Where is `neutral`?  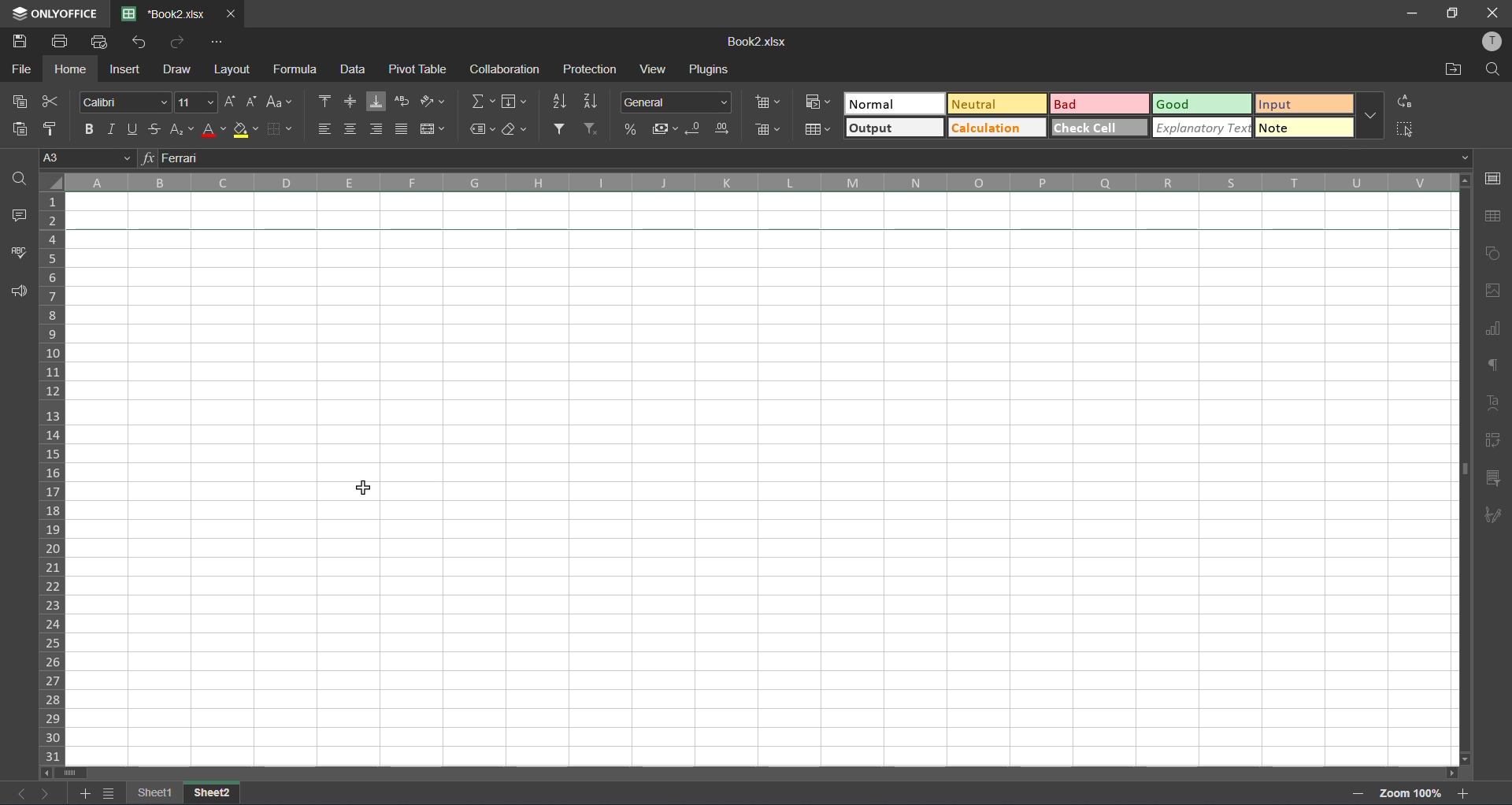
neutral is located at coordinates (999, 104).